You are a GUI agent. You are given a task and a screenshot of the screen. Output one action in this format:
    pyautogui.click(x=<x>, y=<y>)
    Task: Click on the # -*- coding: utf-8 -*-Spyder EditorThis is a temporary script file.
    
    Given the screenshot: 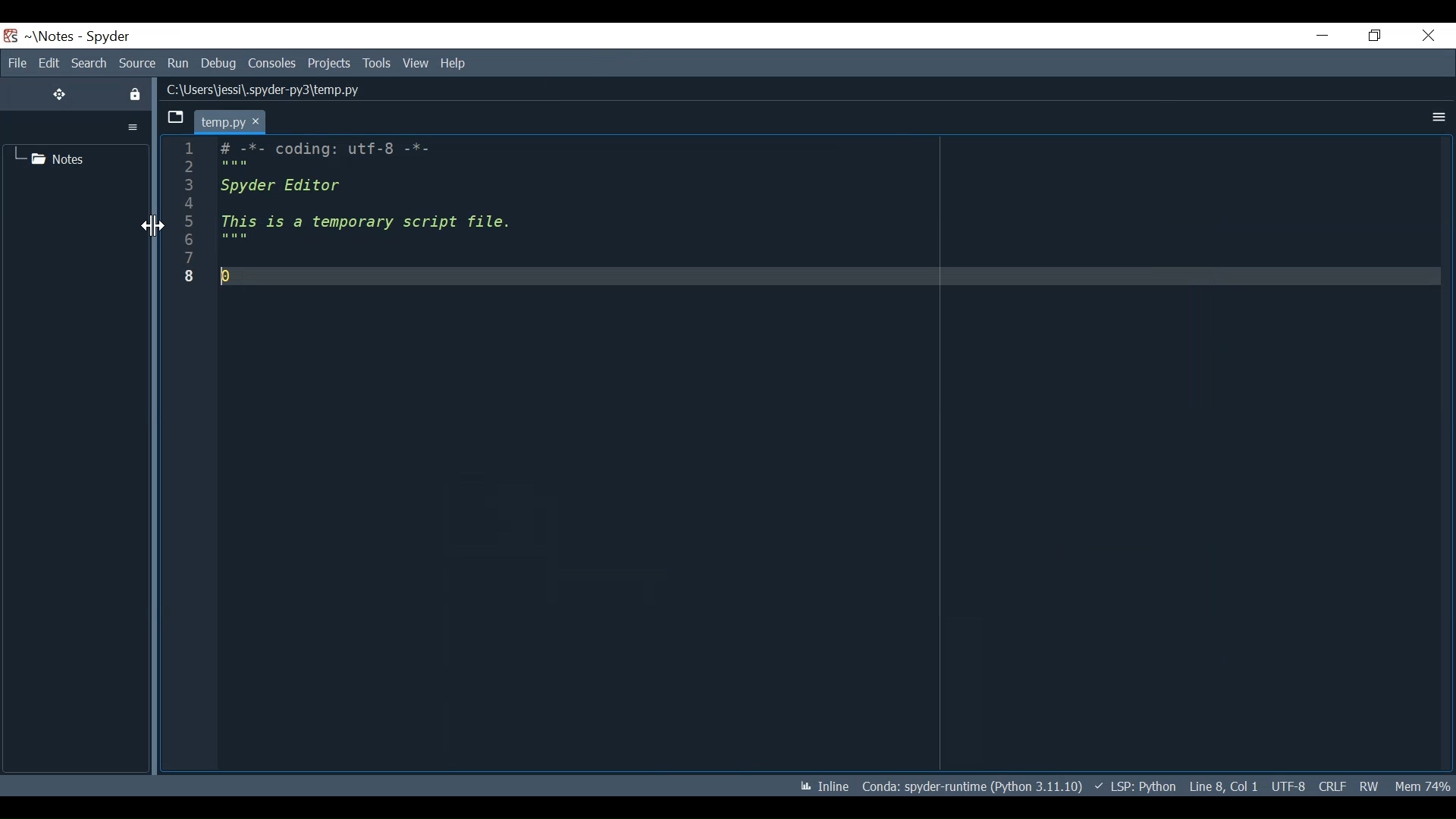 What is the action you would take?
    pyautogui.click(x=581, y=226)
    